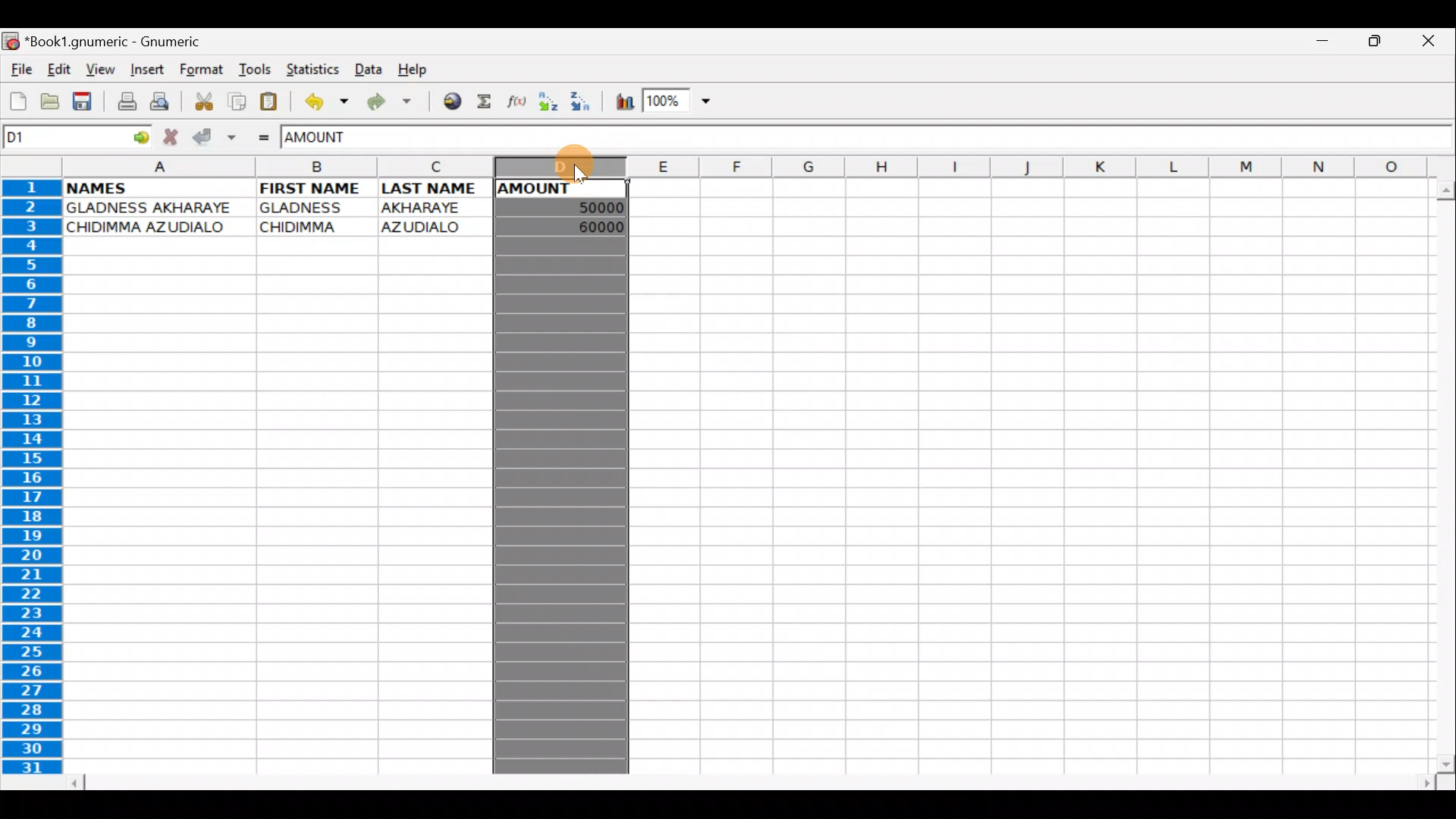 The height and width of the screenshot is (819, 1456). Describe the element at coordinates (173, 136) in the screenshot. I see `Cancel change` at that location.